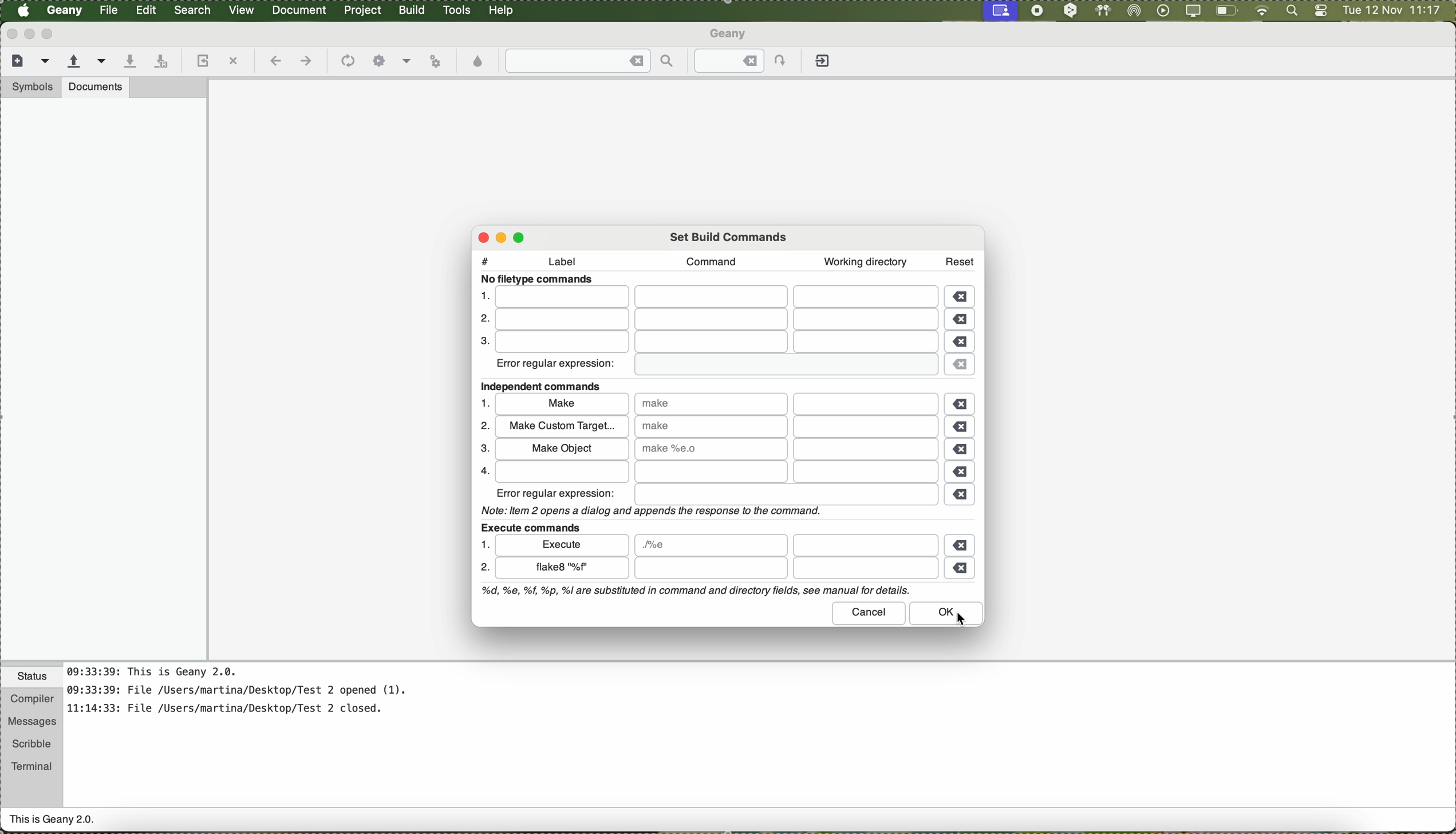  I want to click on file, so click(867, 449).